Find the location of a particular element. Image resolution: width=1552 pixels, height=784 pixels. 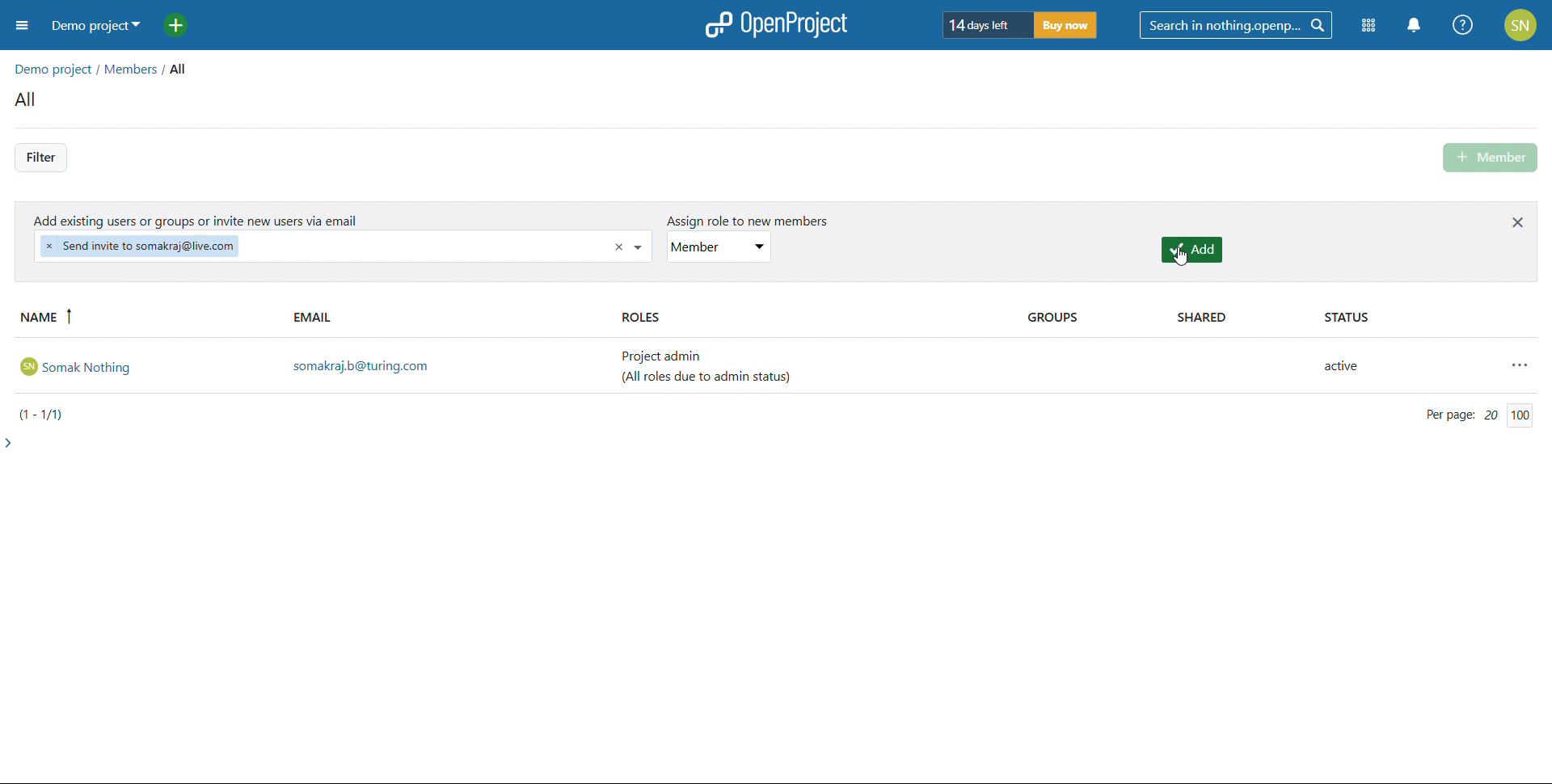

open sidebar menu is located at coordinates (22, 27).